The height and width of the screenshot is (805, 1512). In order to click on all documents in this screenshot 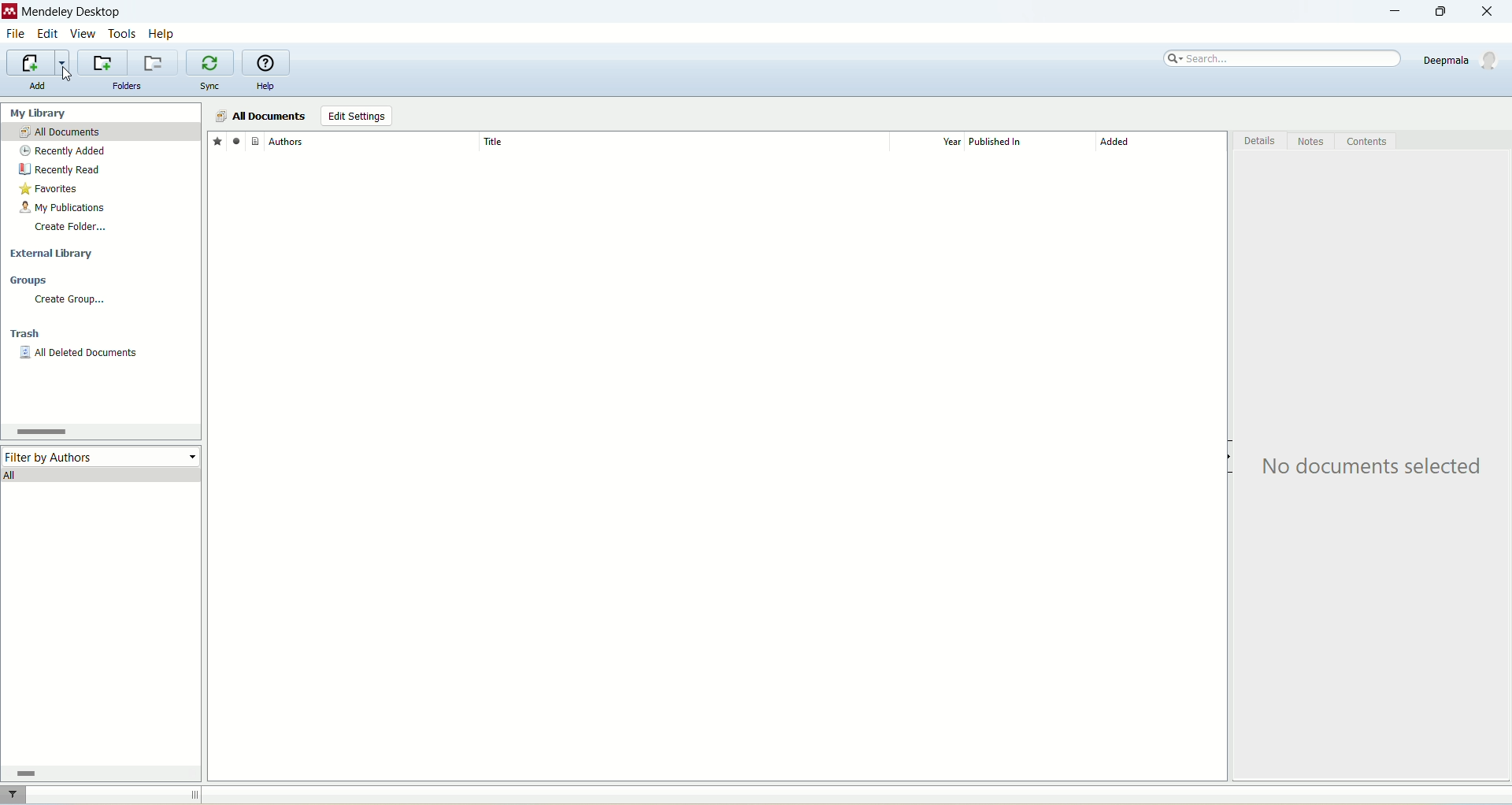, I will do `click(260, 117)`.